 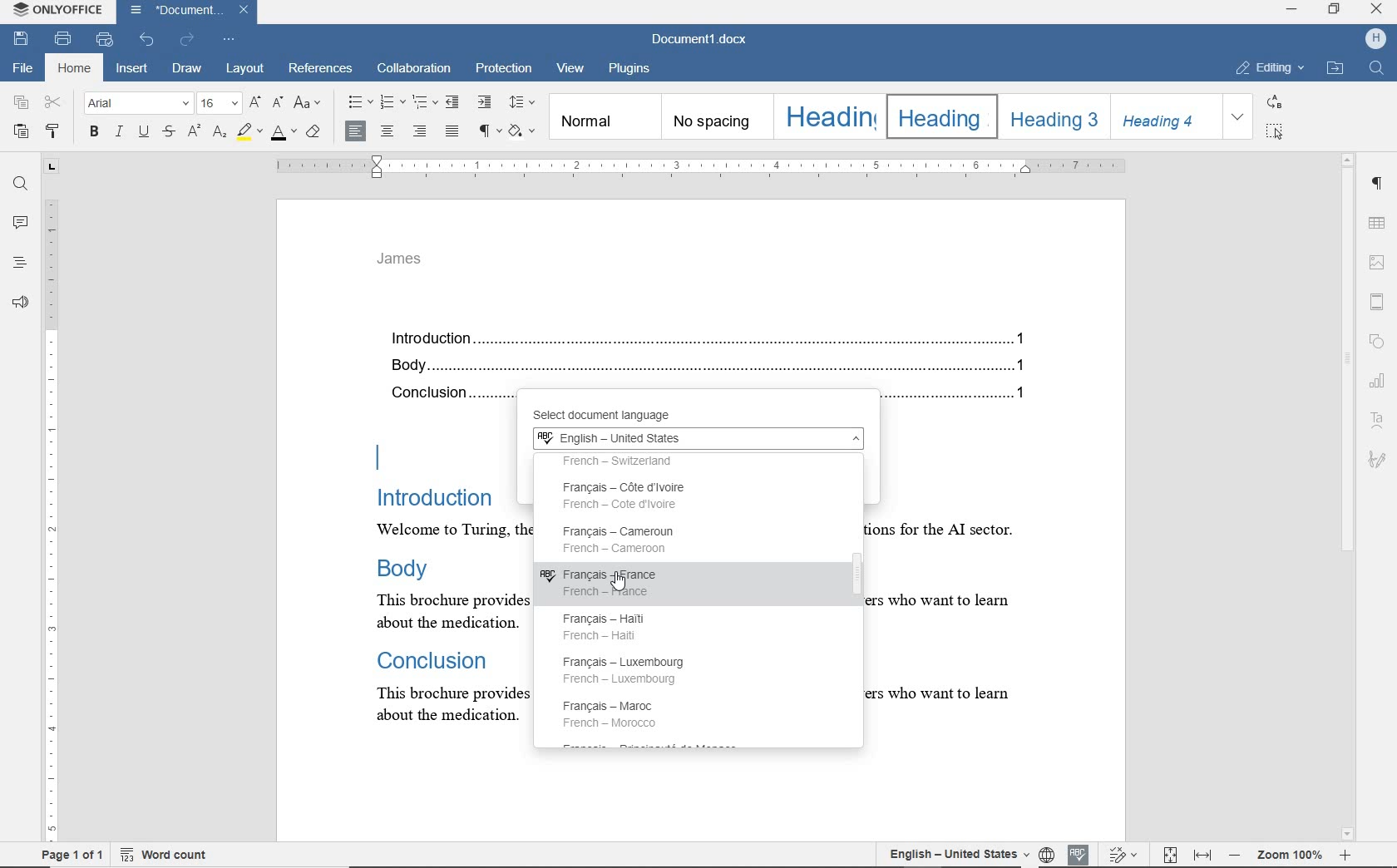 What do you see at coordinates (715, 117) in the screenshot?
I see `no spacing` at bounding box center [715, 117].